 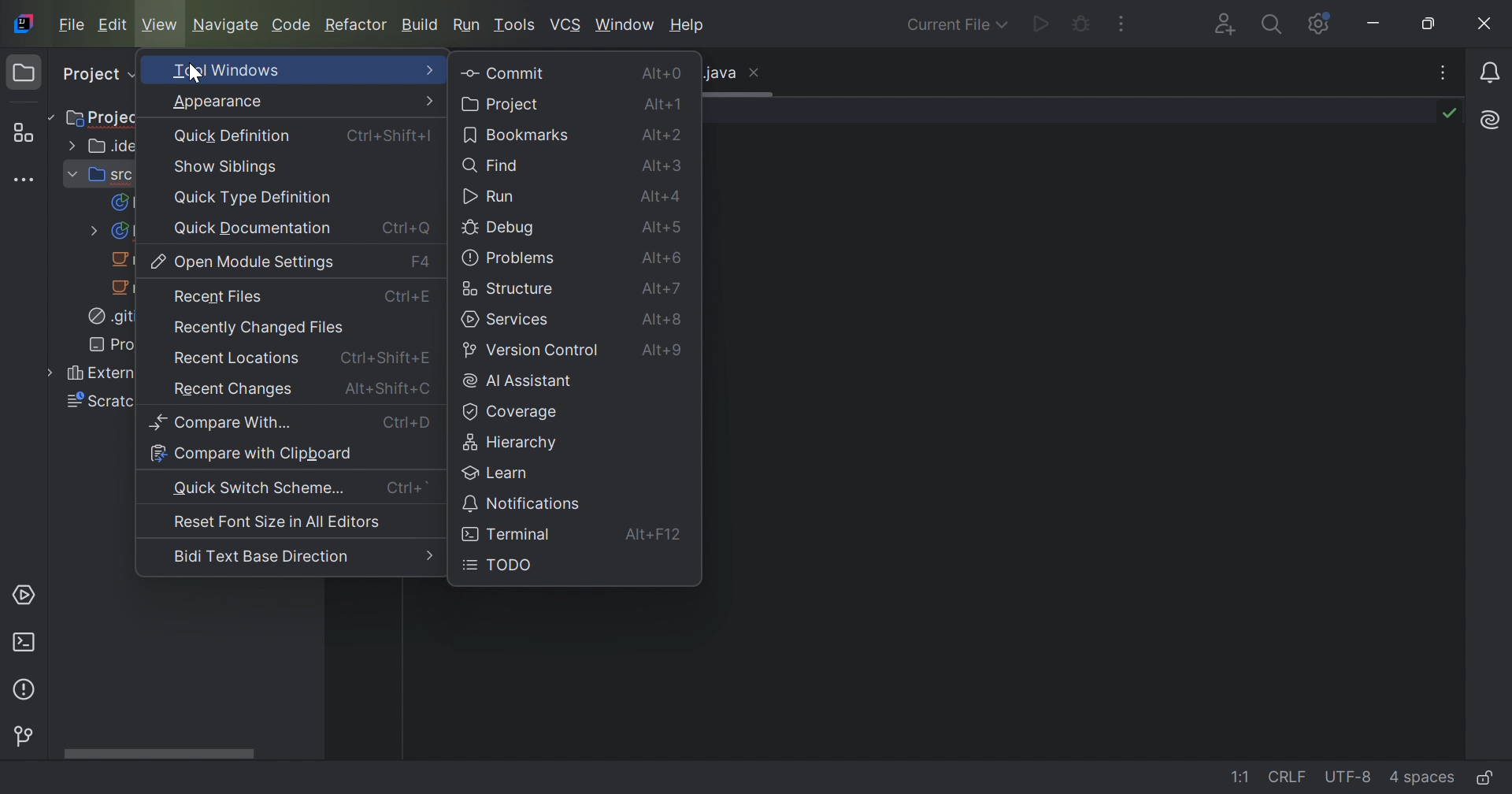 What do you see at coordinates (1486, 24) in the screenshot?
I see `Close` at bounding box center [1486, 24].